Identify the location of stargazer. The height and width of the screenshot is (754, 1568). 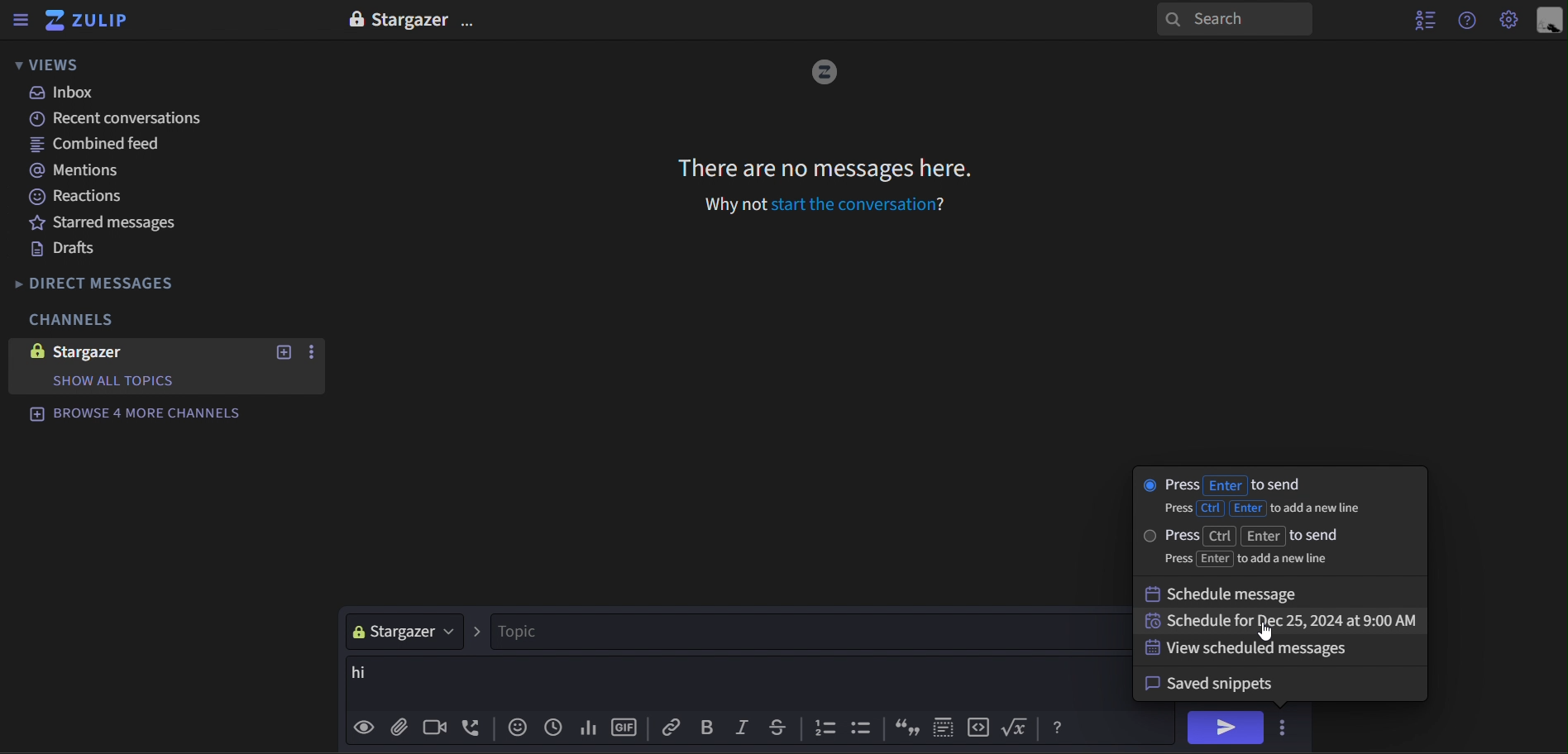
(110, 351).